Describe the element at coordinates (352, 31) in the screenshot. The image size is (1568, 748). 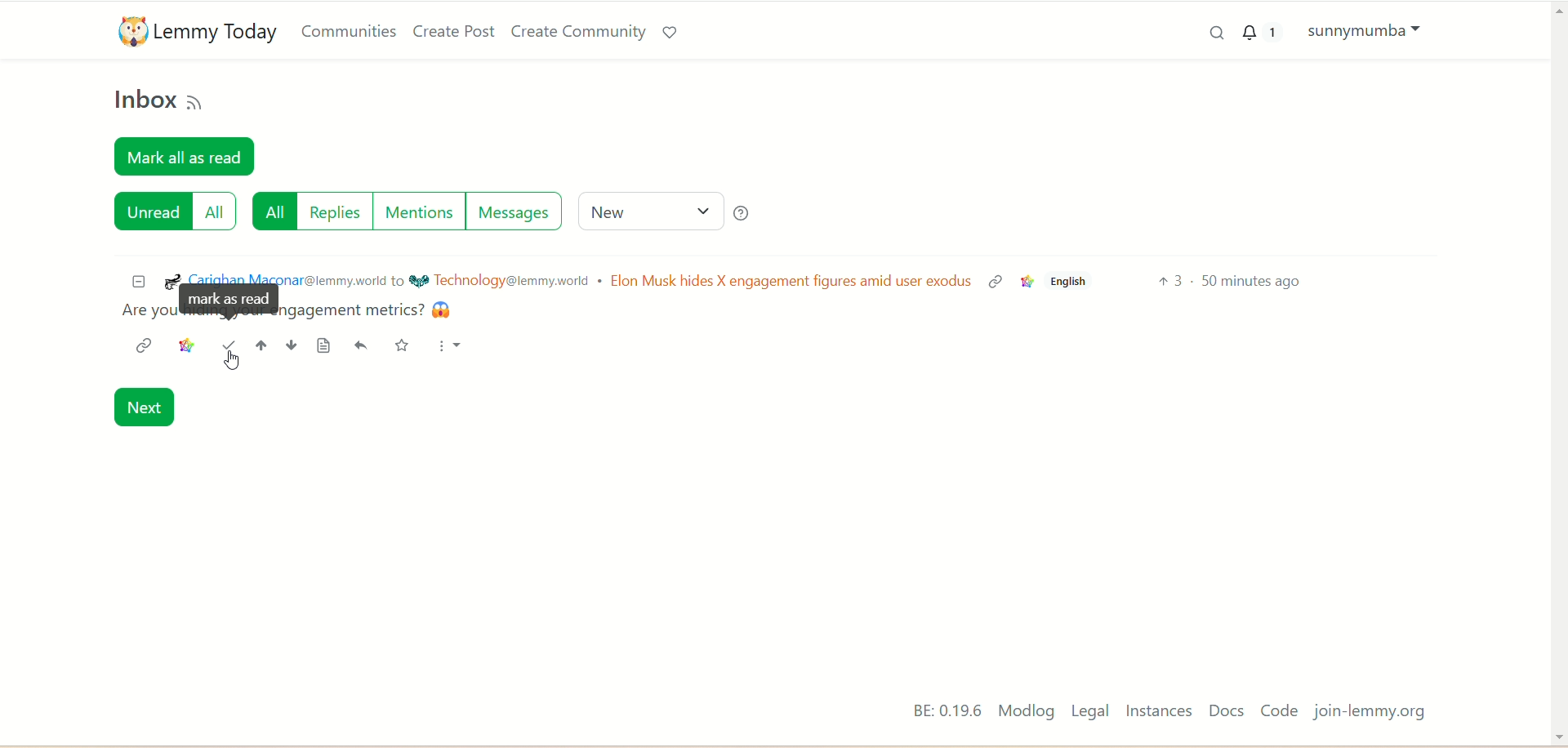
I see `communities` at that location.